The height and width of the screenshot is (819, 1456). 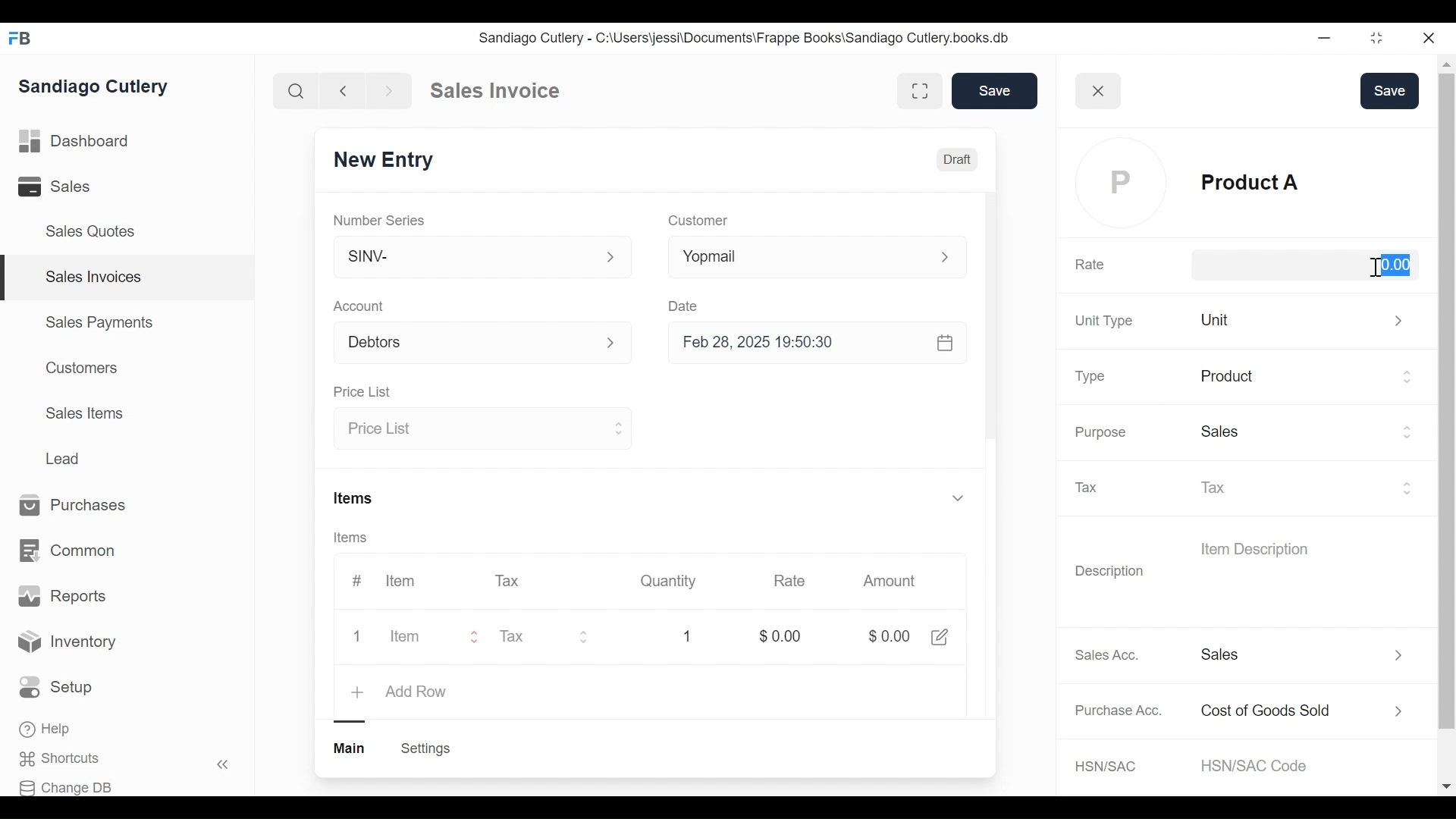 I want to click on Help, so click(x=46, y=729).